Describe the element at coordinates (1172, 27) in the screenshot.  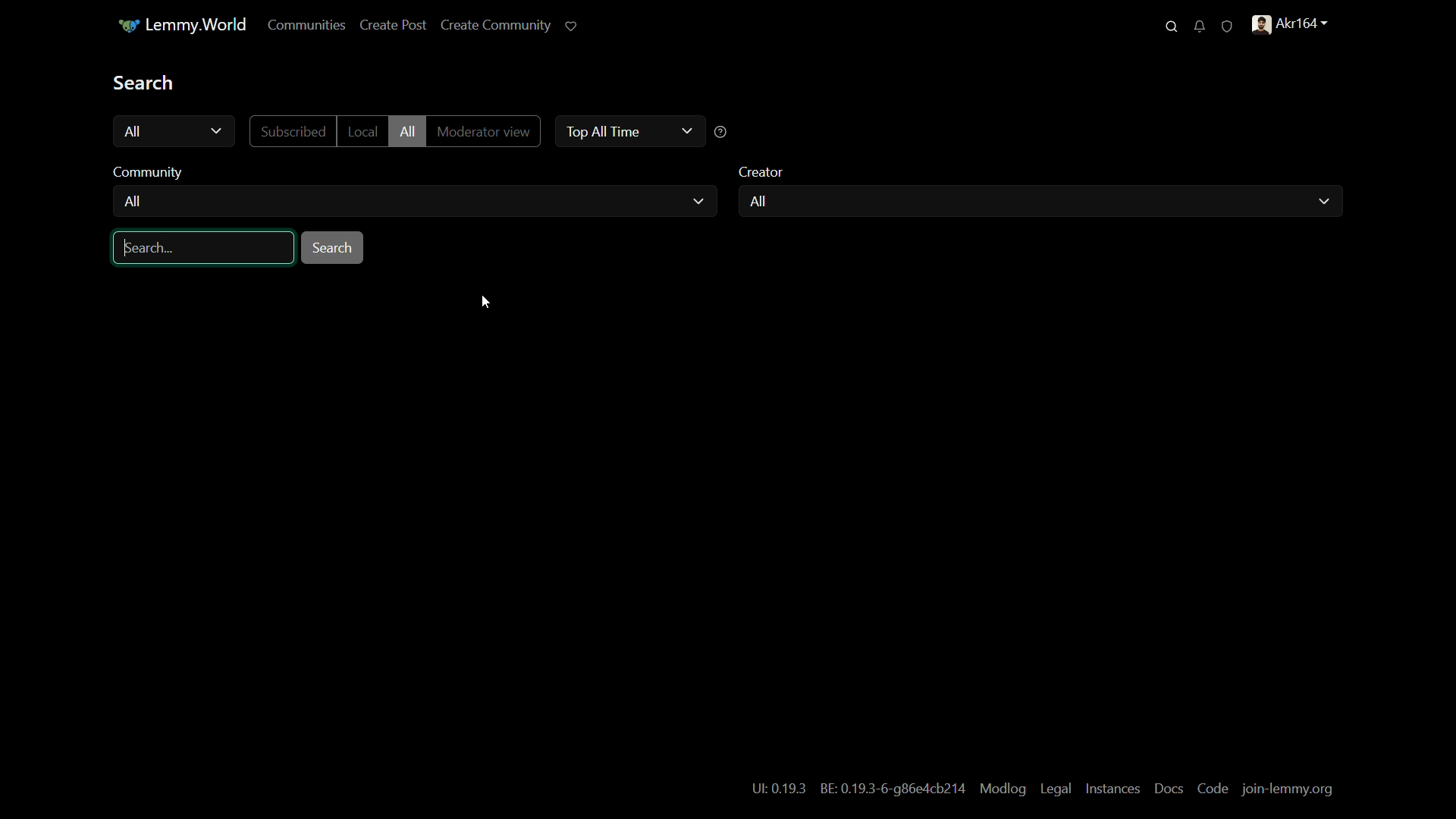
I see `search` at that location.